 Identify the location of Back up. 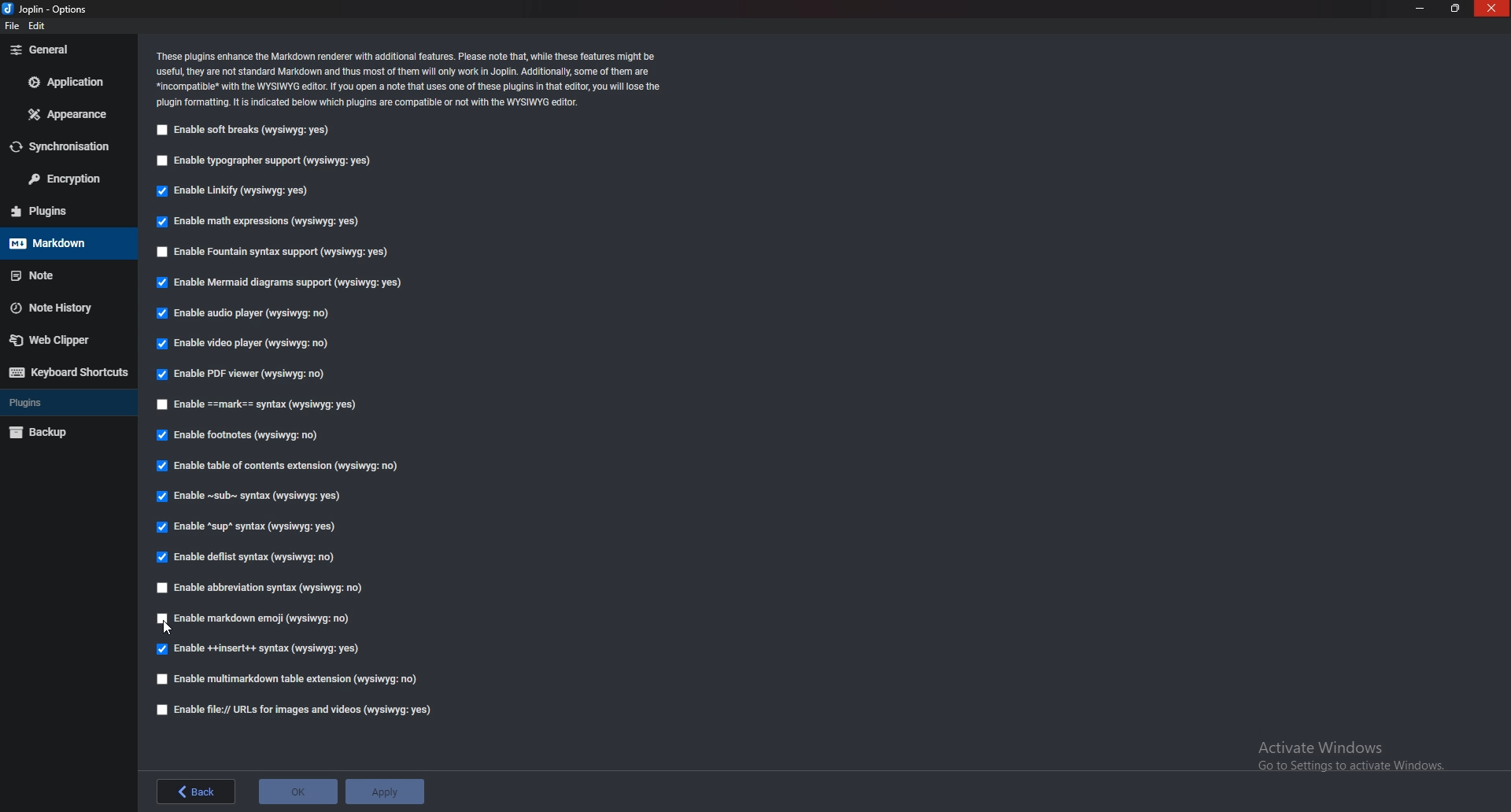
(51, 434).